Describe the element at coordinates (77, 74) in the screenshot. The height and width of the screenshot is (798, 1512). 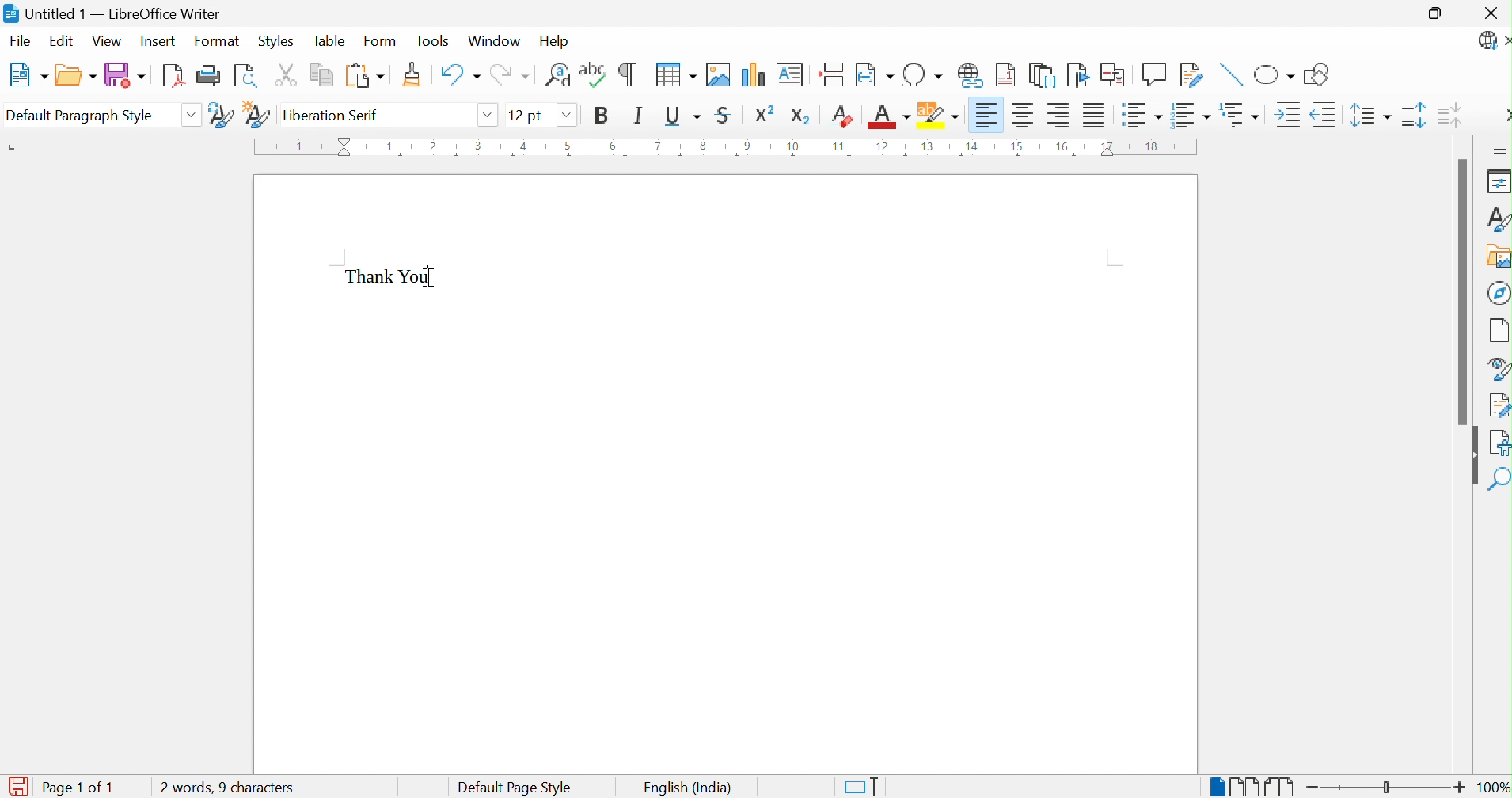
I see `Open` at that location.